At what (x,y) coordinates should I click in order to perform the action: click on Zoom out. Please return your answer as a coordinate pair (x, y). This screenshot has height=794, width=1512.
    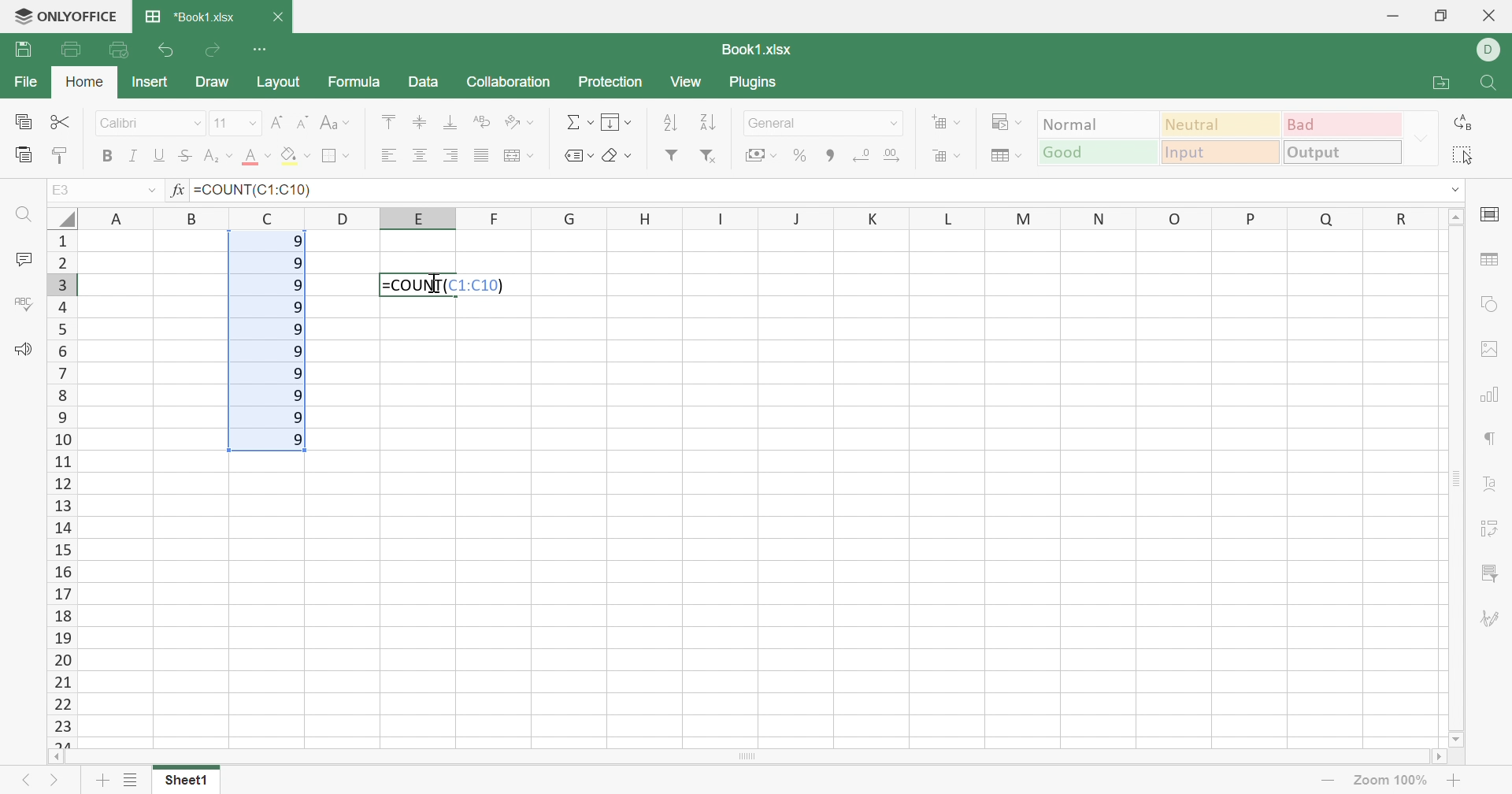
    Looking at the image, I should click on (1330, 779).